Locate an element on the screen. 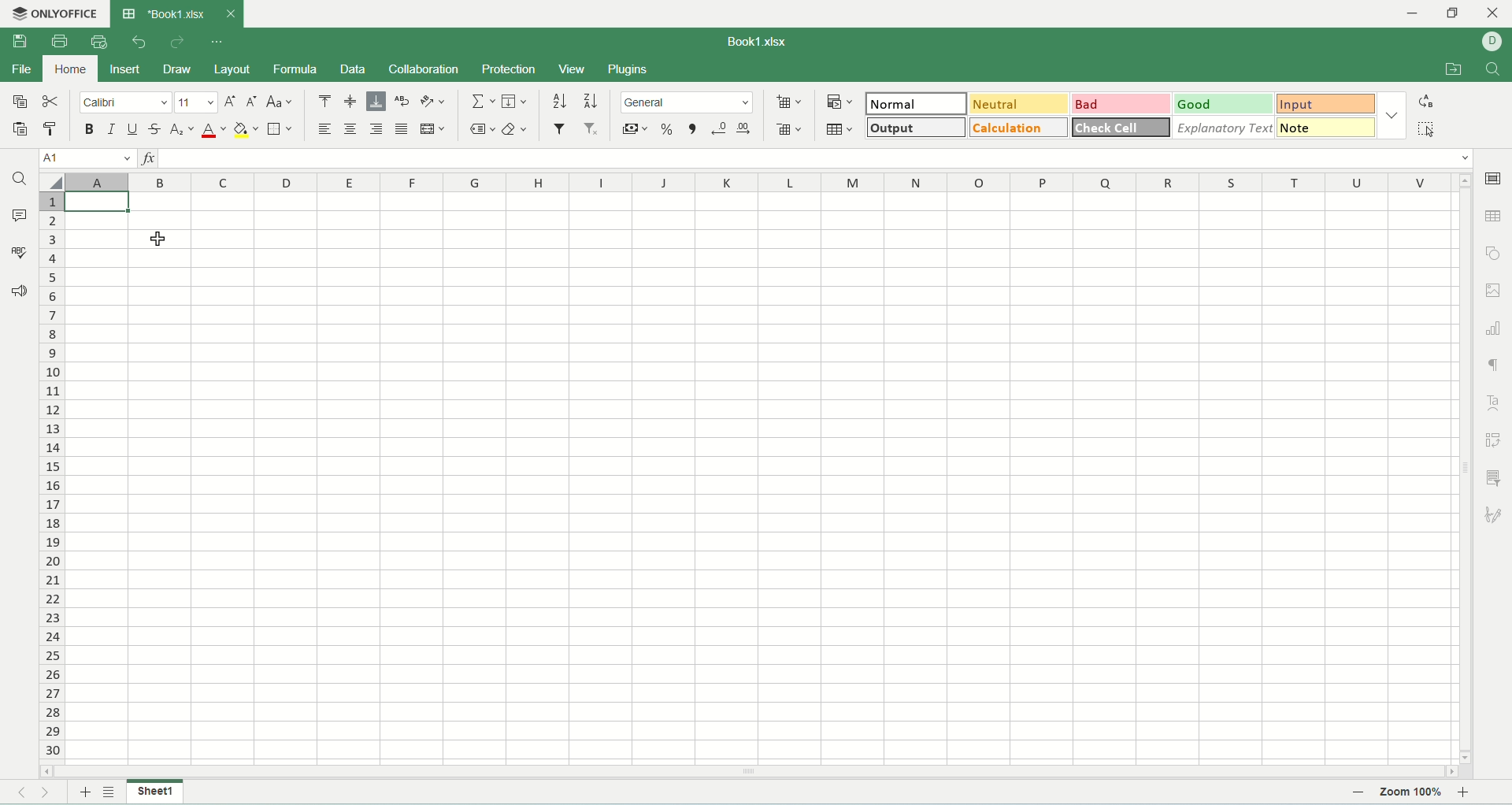  fill is located at coordinates (515, 101).